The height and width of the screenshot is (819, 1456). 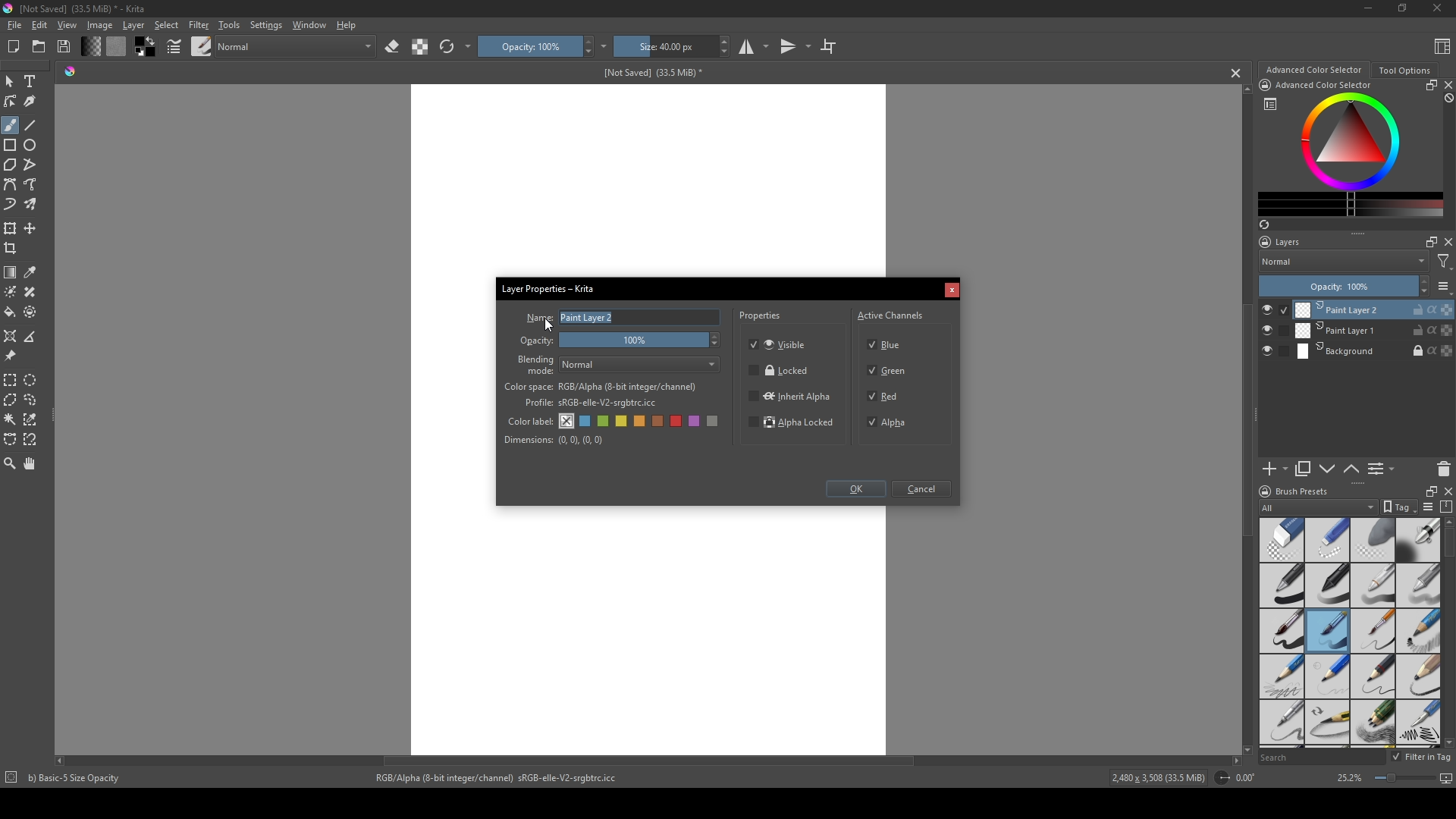 What do you see at coordinates (1429, 85) in the screenshot?
I see `resize` at bounding box center [1429, 85].